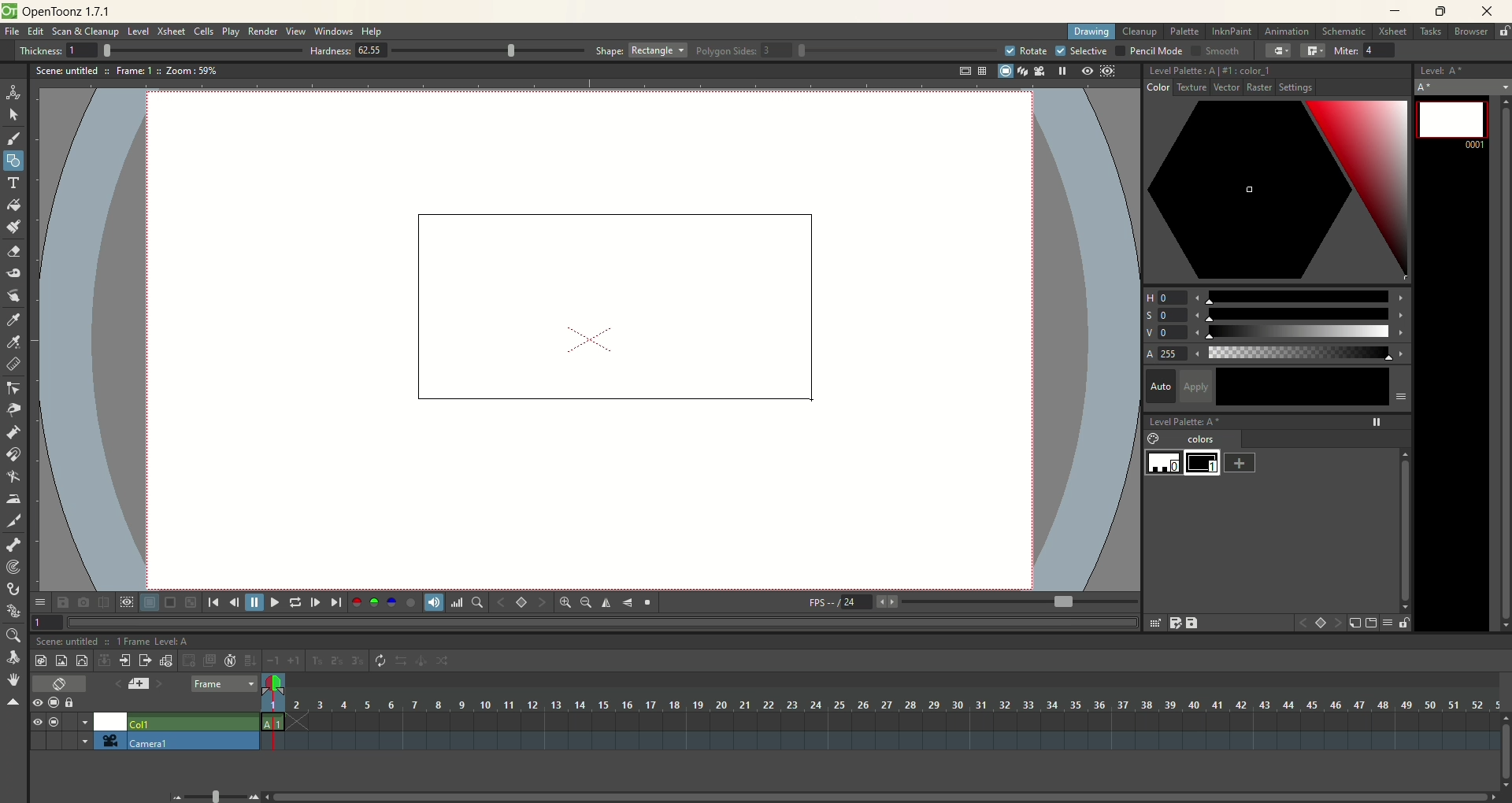  Describe the element at coordinates (16, 520) in the screenshot. I see `cutter` at that location.